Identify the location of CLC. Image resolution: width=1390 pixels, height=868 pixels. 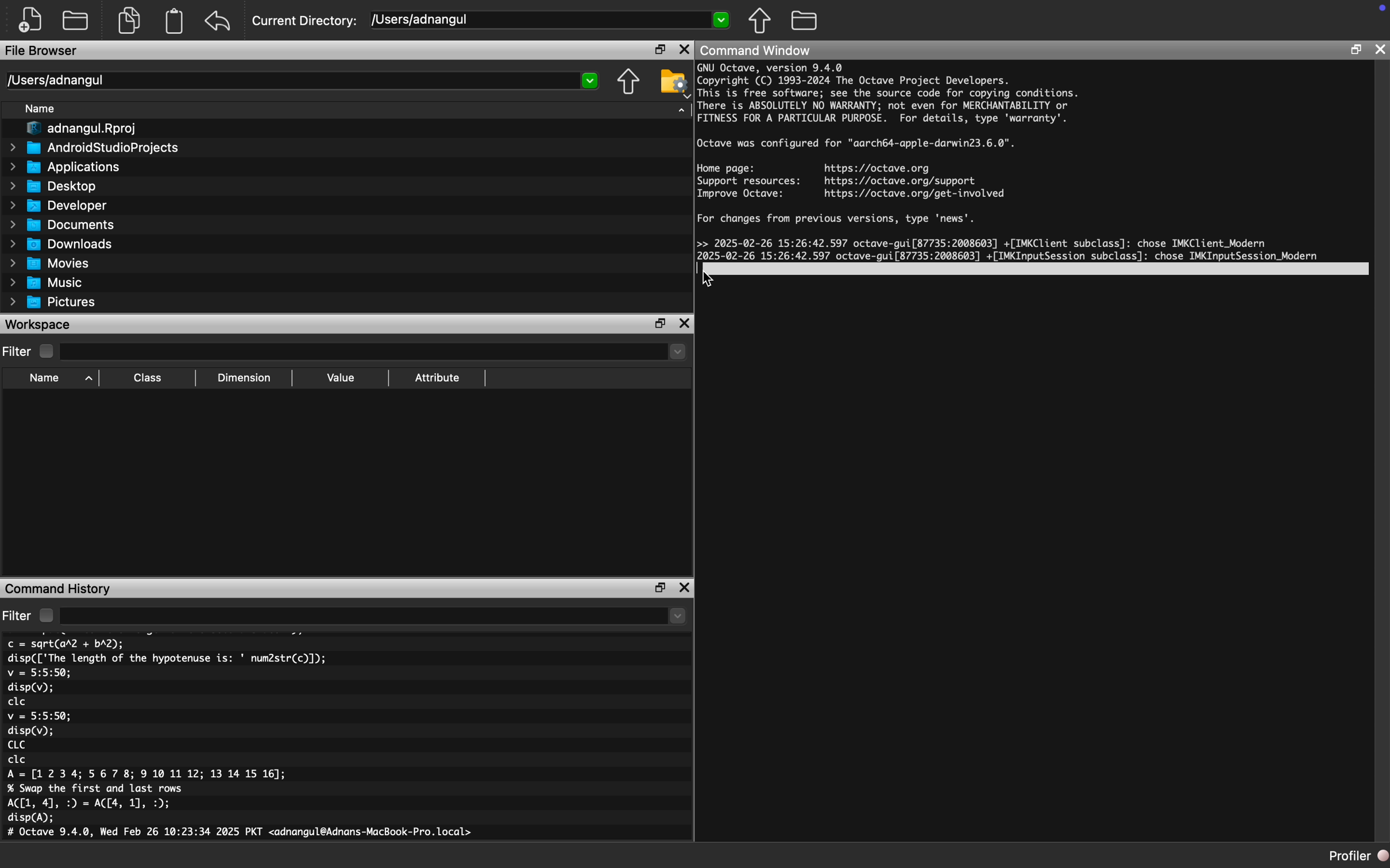
(16, 745).